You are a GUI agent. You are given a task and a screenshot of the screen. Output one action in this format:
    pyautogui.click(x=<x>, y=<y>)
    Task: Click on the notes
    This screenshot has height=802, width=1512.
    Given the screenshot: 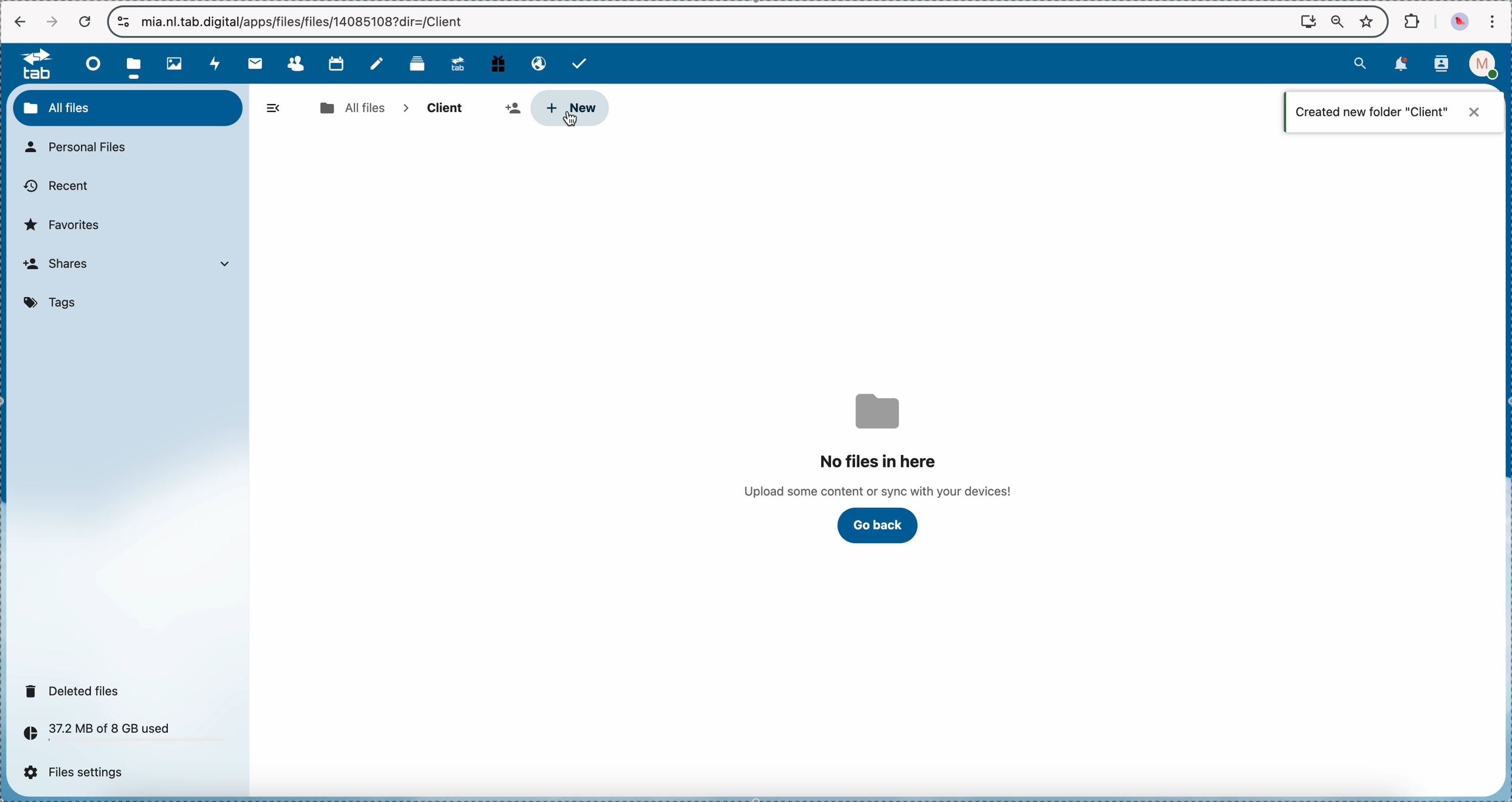 What is the action you would take?
    pyautogui.click(x=379, y=64)
    